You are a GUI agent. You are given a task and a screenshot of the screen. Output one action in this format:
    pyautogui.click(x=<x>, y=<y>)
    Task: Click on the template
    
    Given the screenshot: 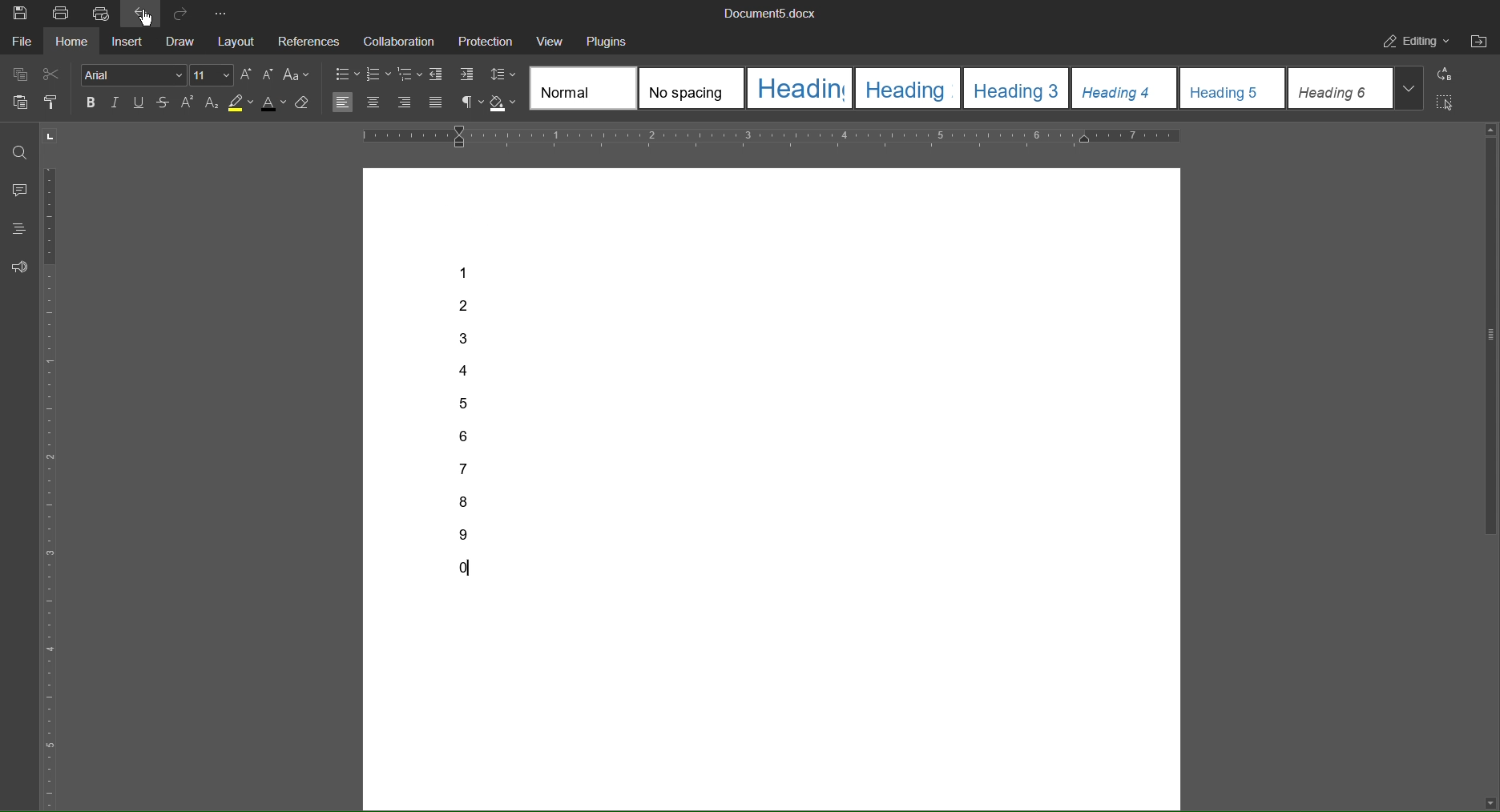 What is the action you would take?
    pyautogui.click(x=1232, y=88)
    